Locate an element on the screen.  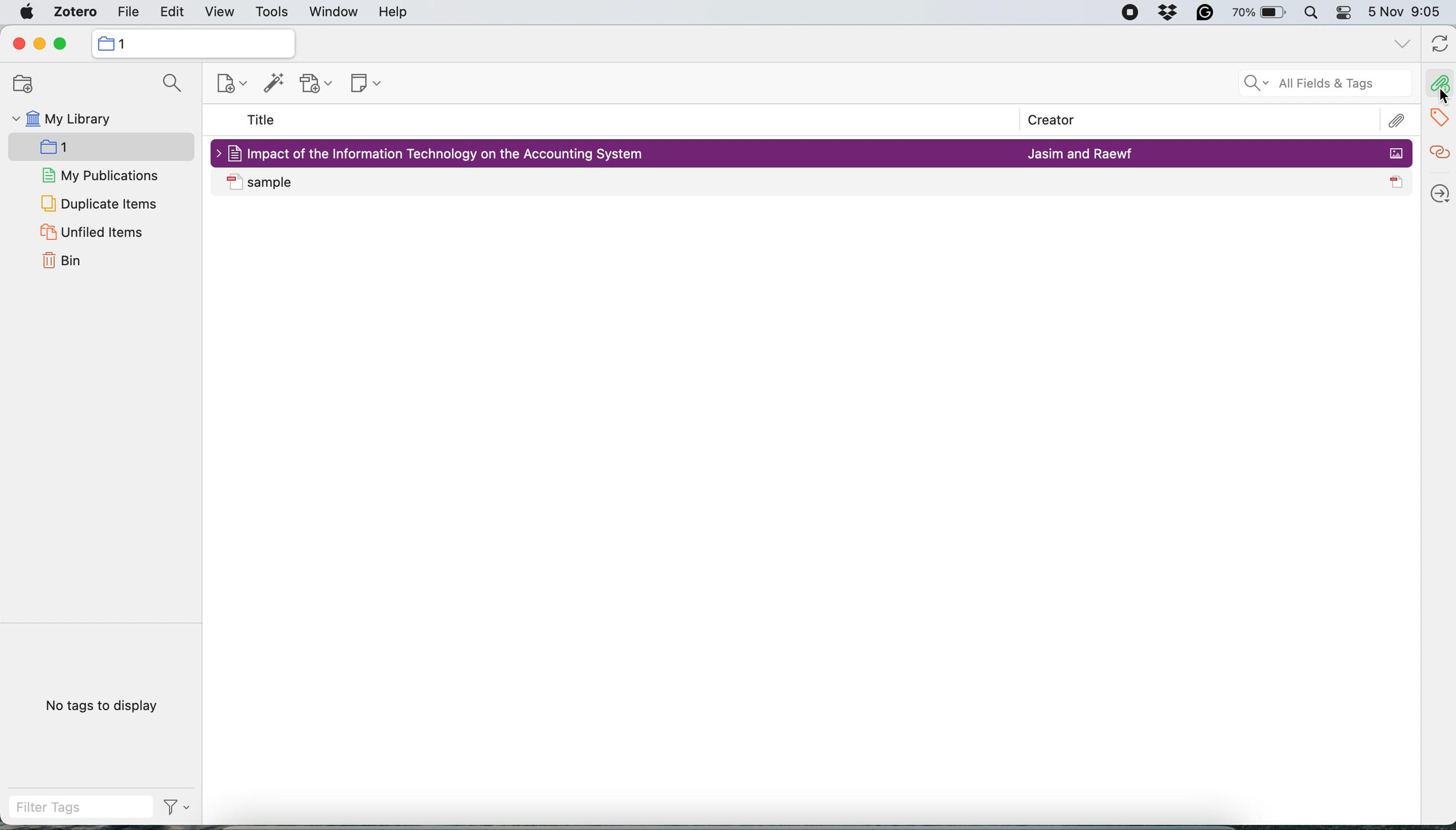
attachement is located at coordinates (1393, 120).